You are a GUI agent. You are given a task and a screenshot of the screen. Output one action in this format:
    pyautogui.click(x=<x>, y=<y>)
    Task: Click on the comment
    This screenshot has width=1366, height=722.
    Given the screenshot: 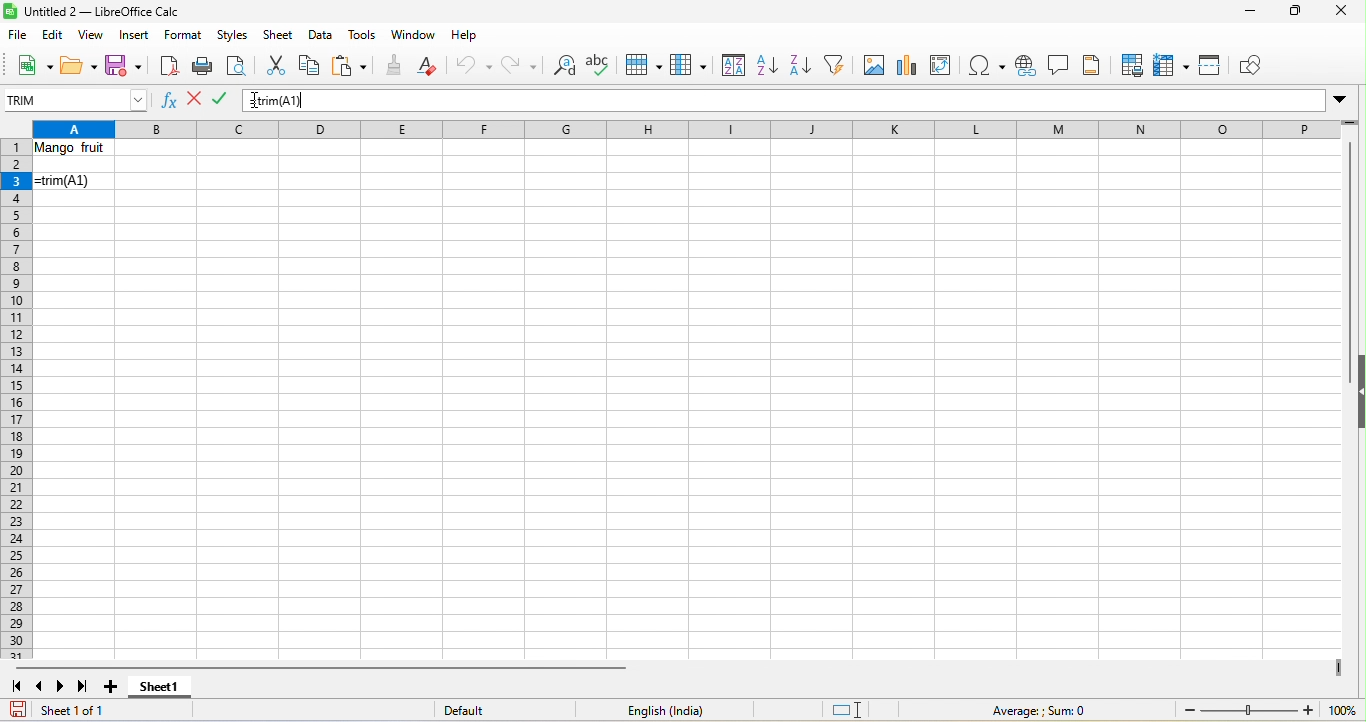 What is the action you would take?
    pyautogui.click(x=1061, y=67)
    